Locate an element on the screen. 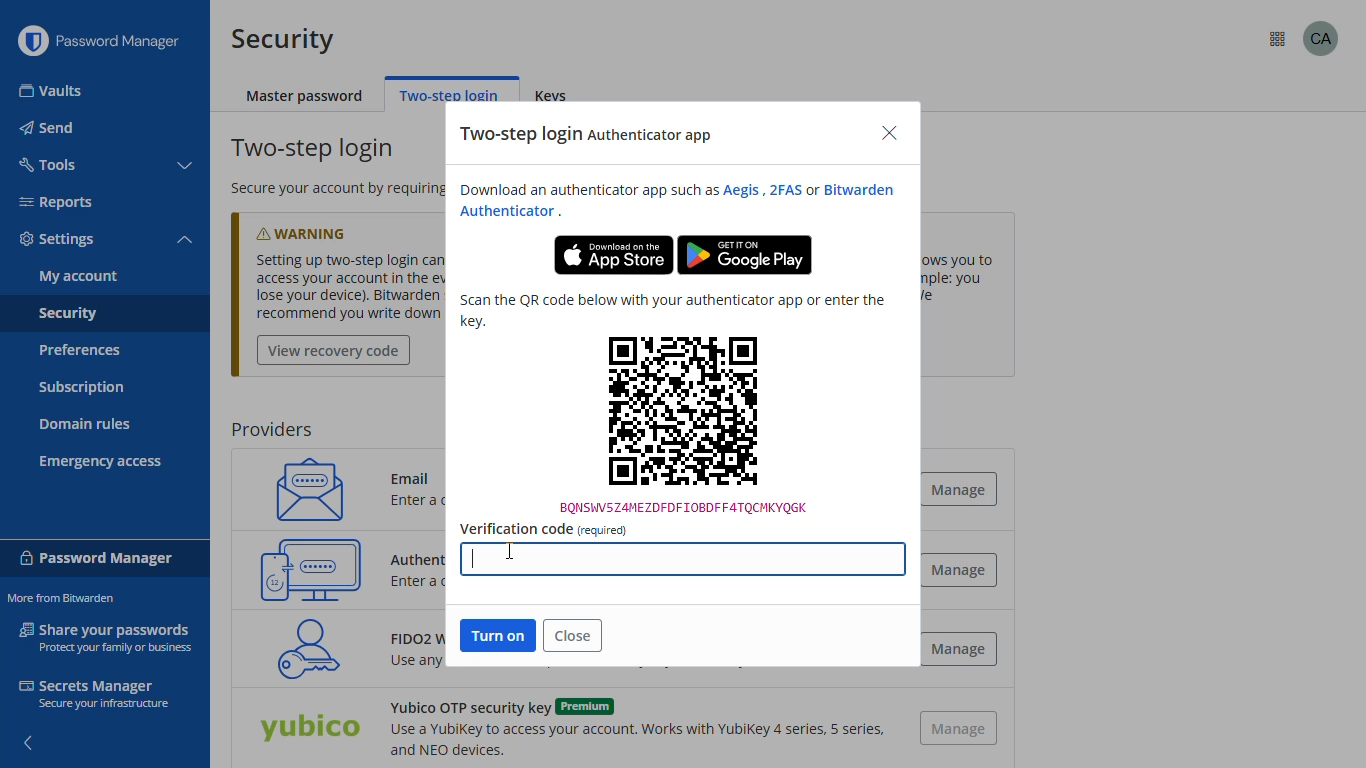 The image size is (1366, 768). turn on is located at coordinates (499, 635).